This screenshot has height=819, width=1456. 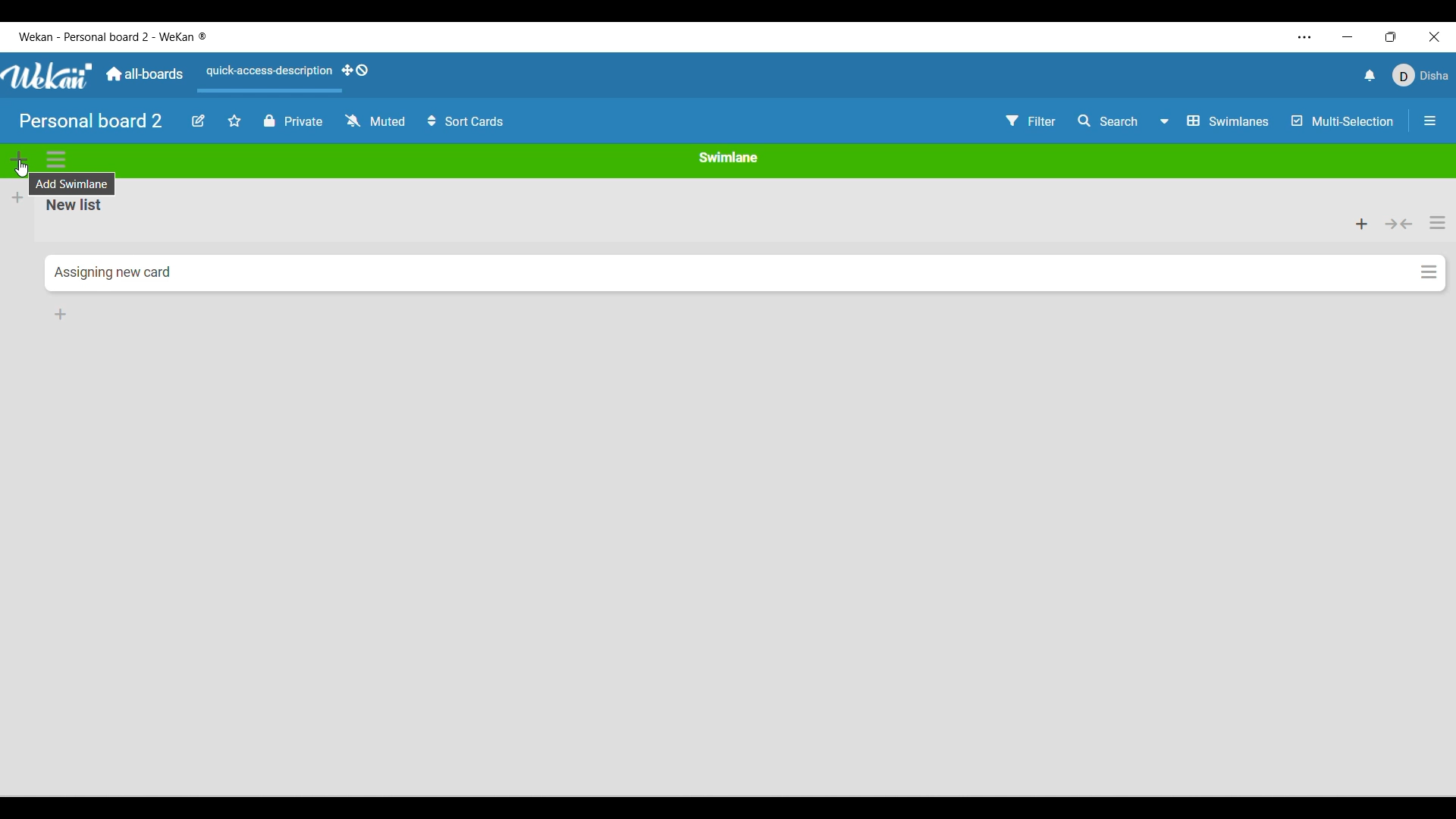 I want to click on Change watch options, so click(x=376, y=120).